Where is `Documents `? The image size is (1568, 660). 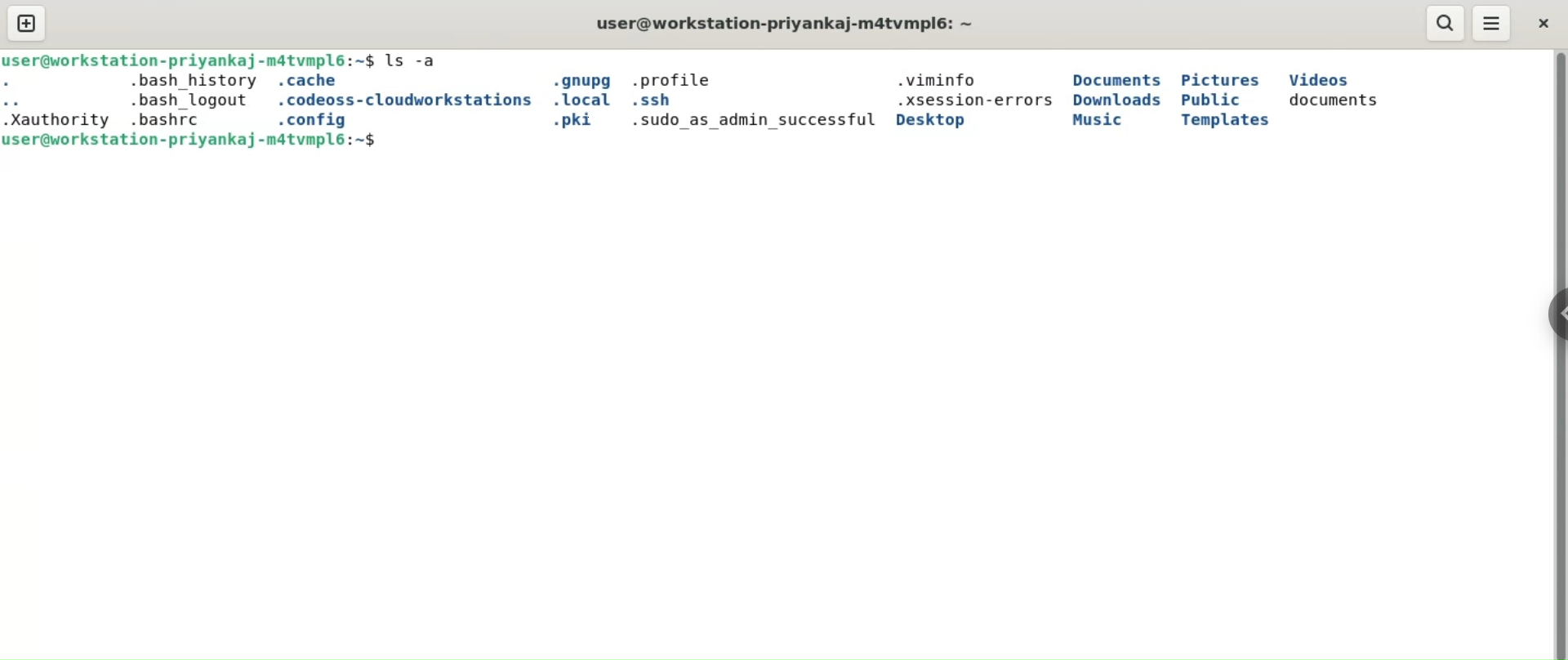
Documents  is located at coordinates (1116, 80).